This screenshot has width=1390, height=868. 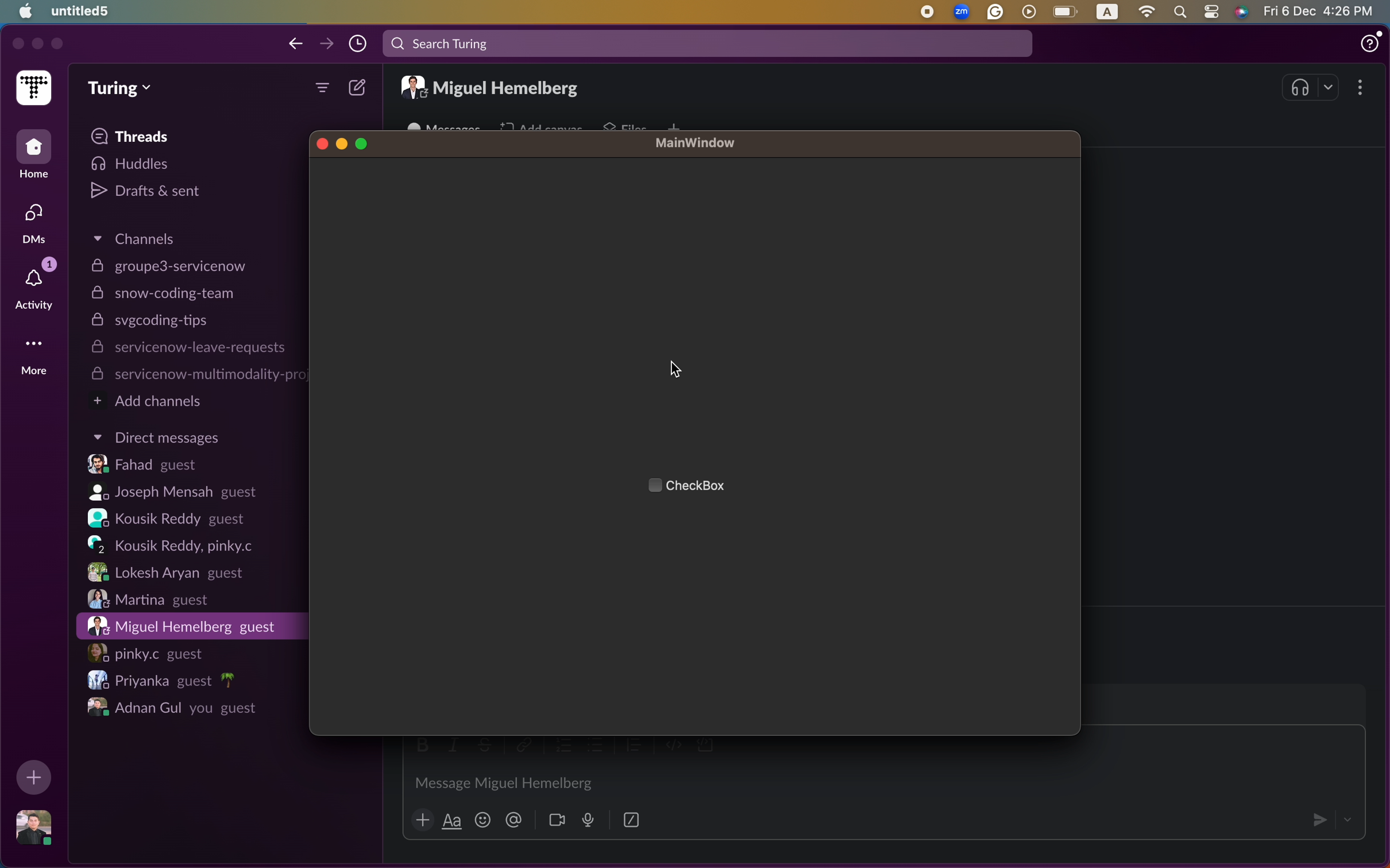 I want to click on minimize, so click(x=342, y=143).